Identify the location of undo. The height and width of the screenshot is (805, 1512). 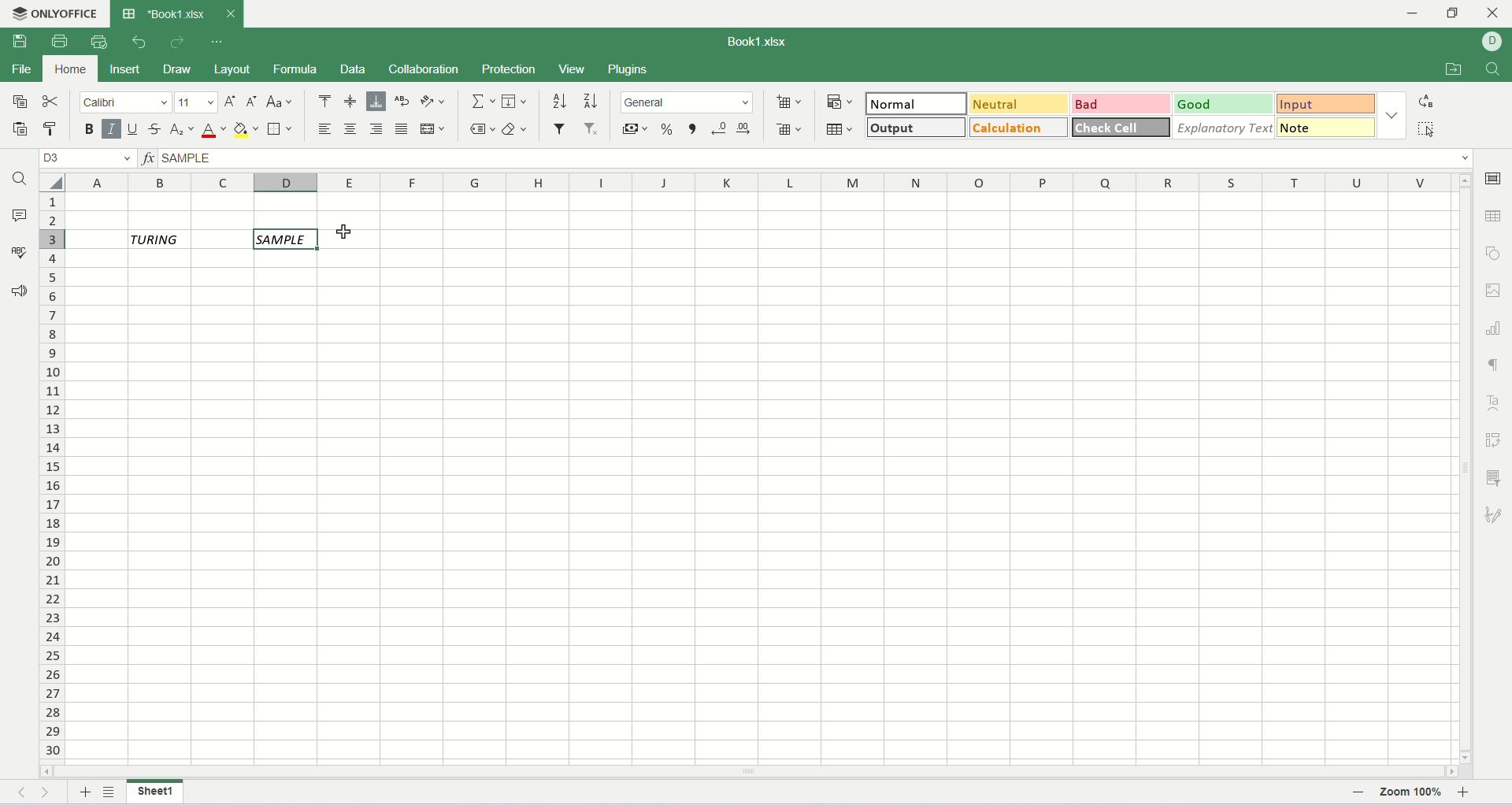
(140, 43).